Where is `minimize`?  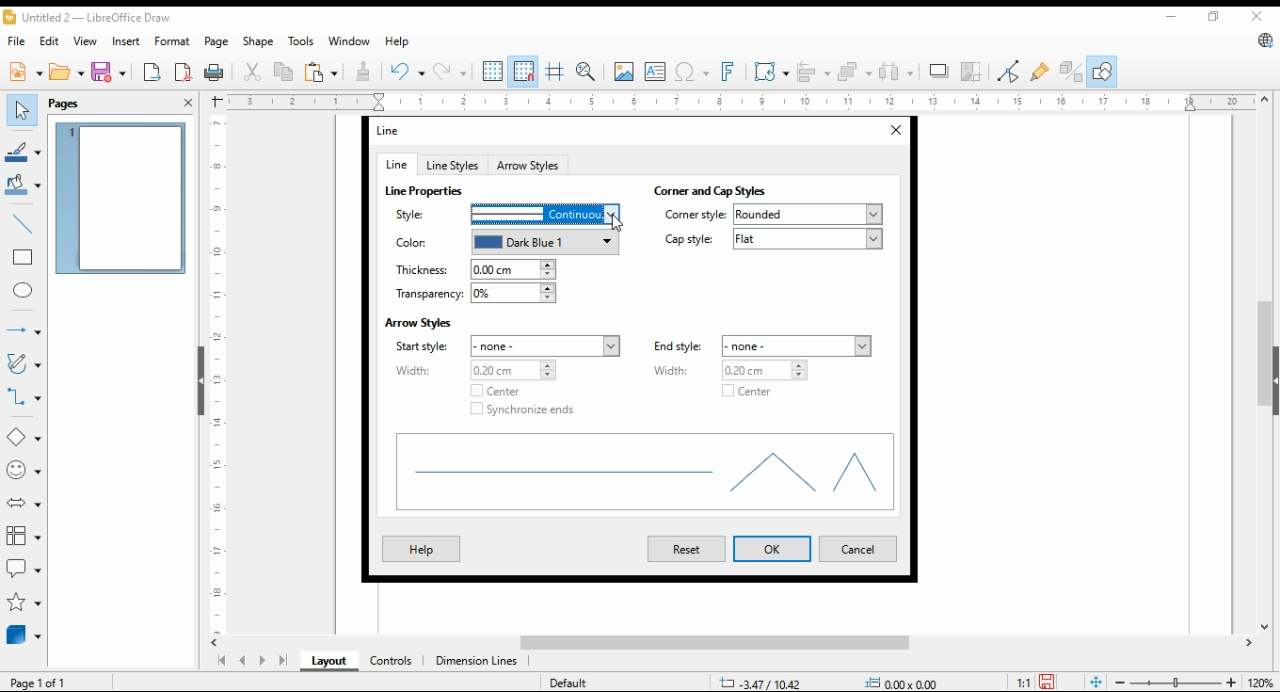 minimize is located at coordinates (1174, 13).